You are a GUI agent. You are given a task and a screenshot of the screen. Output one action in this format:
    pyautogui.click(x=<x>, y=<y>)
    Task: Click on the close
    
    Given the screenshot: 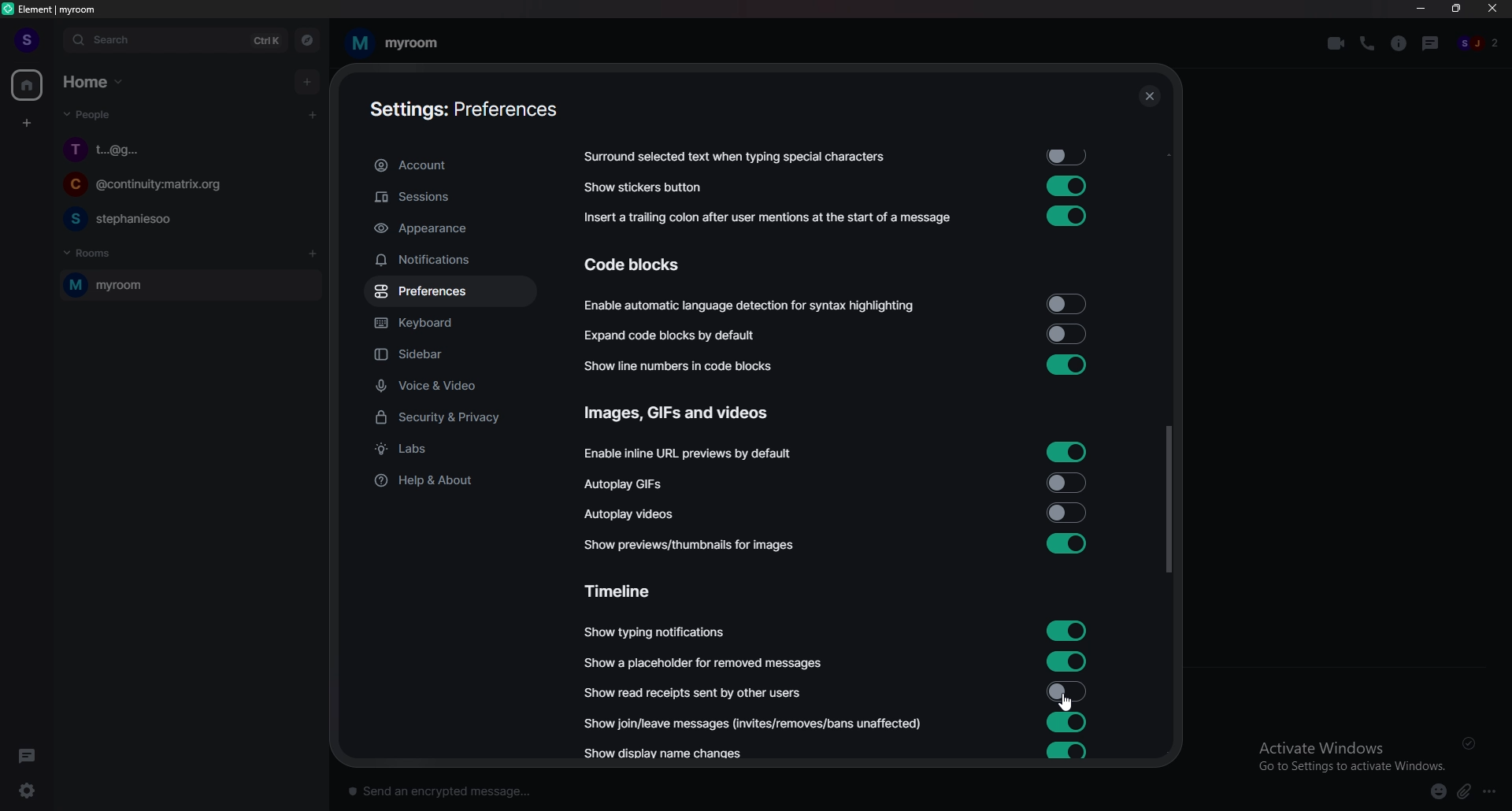 What is the action you would take?
    pyautogui.click(x=1493, y=12)
    